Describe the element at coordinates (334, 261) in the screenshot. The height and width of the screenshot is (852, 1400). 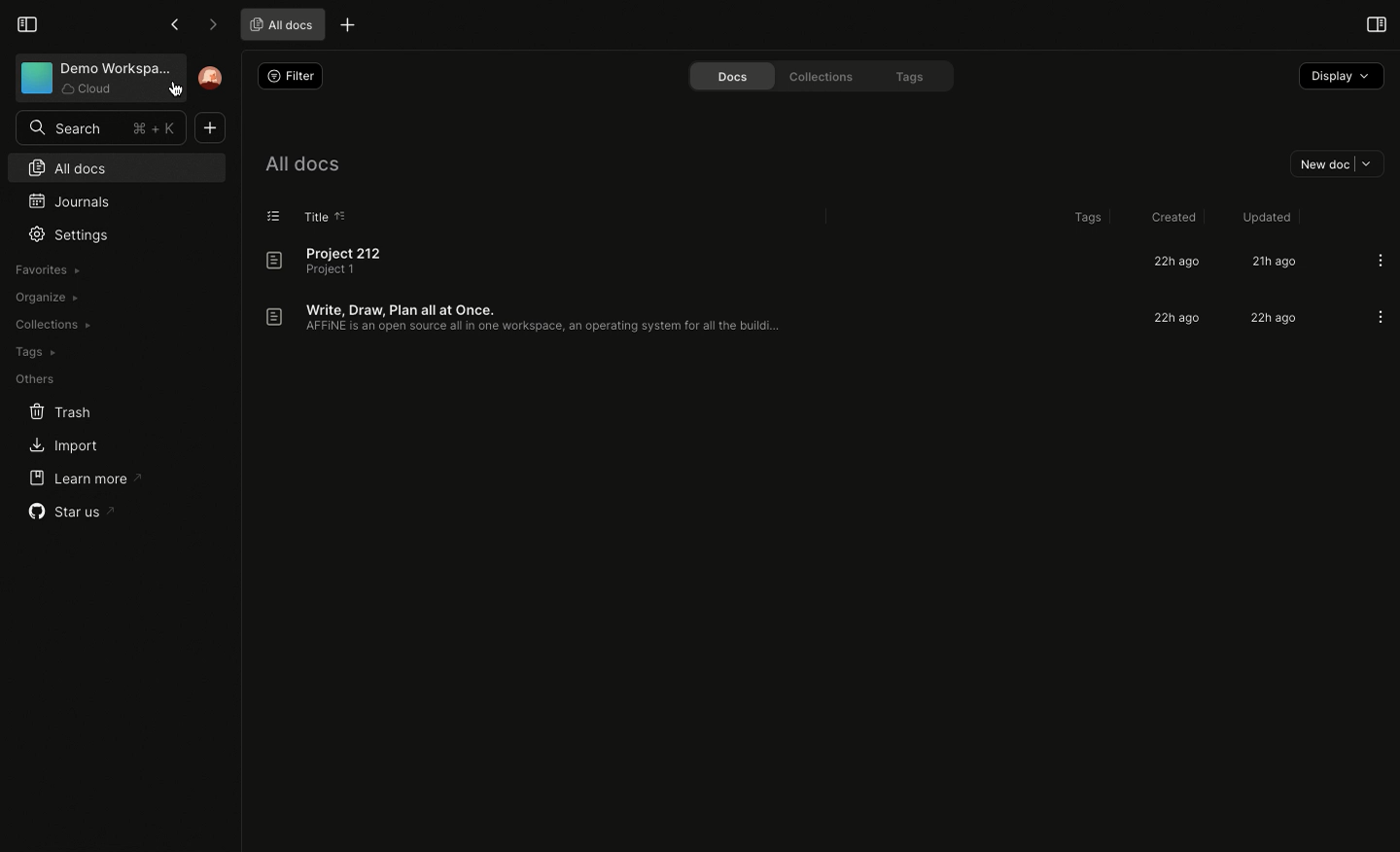
I see `Project 212` at that location.